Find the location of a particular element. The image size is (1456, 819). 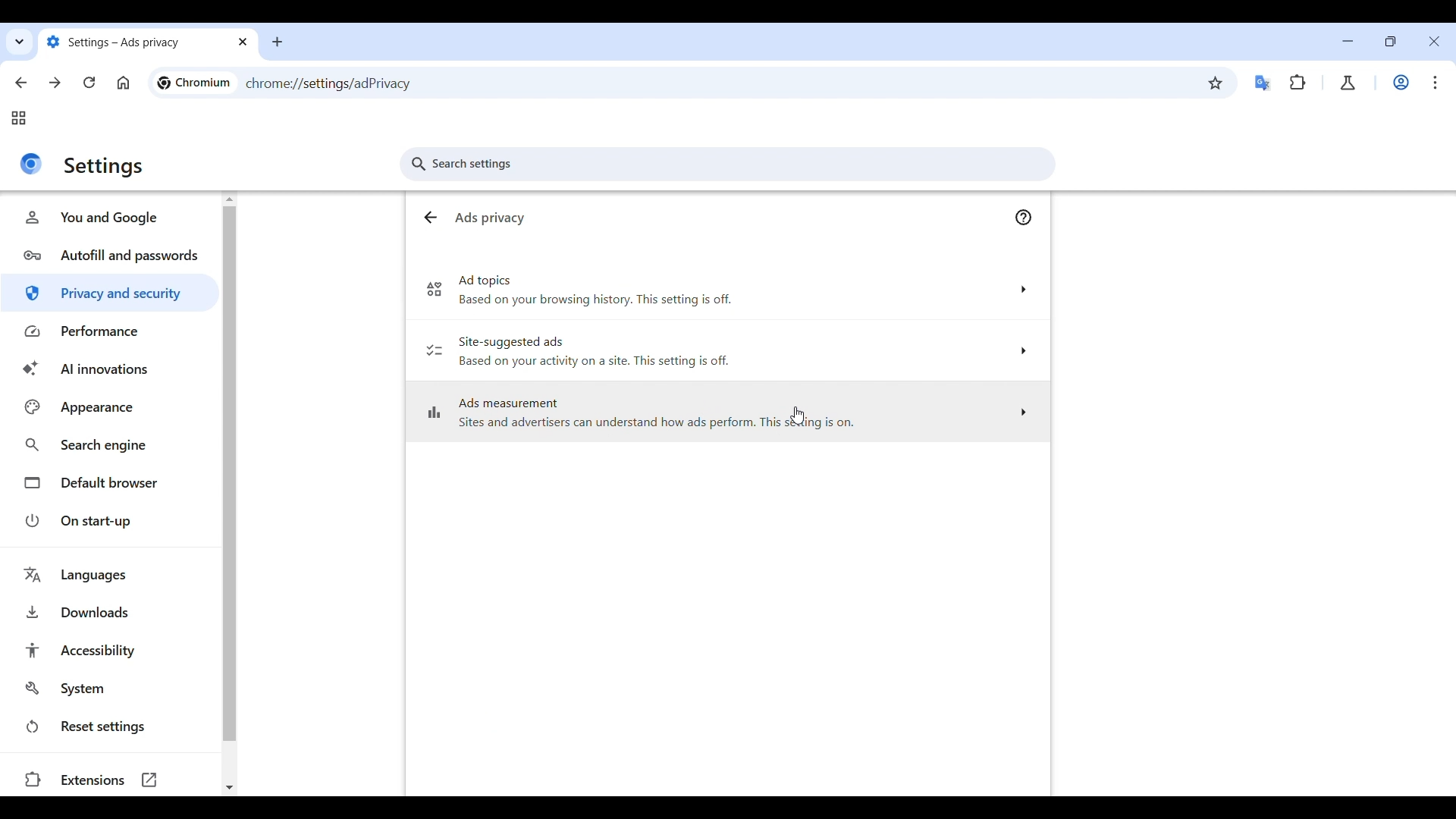

selection cursor is located at coordinates (796, 416).